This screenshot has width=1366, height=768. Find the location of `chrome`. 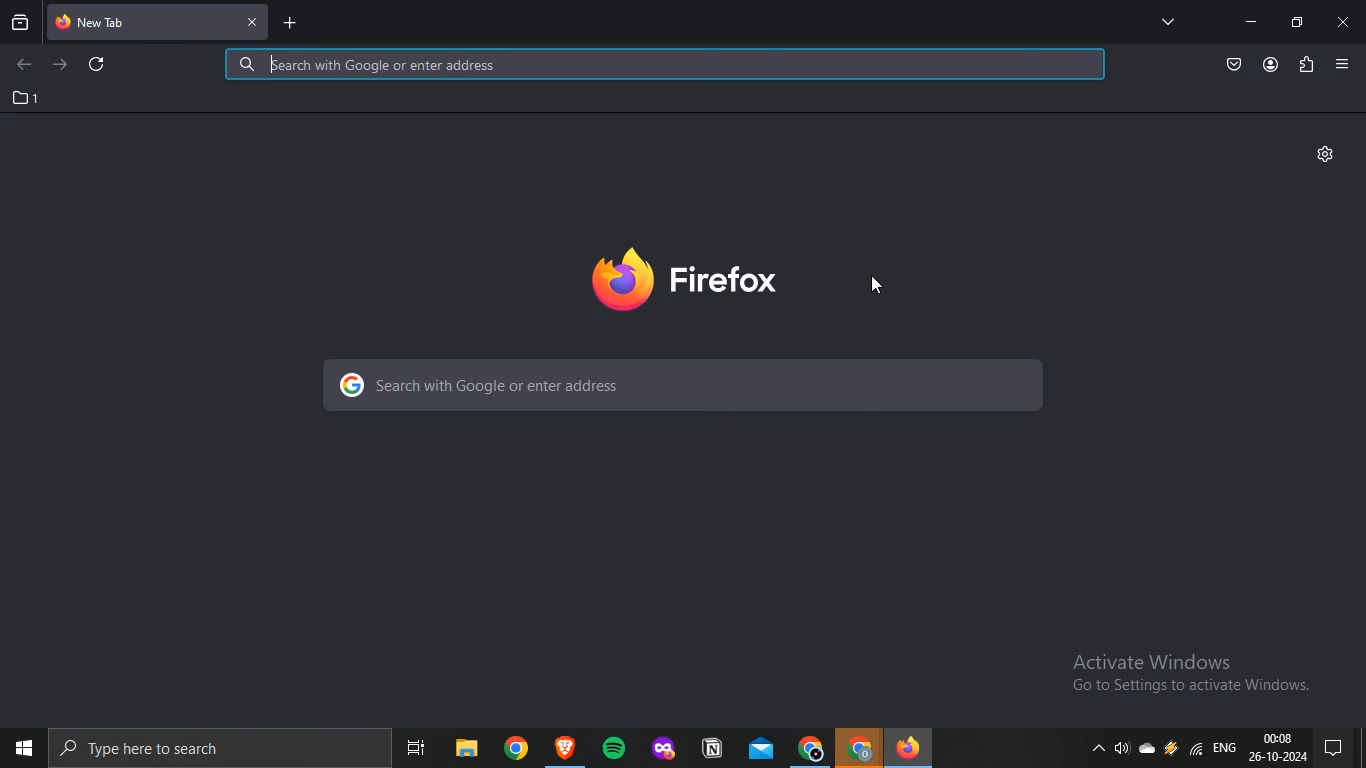

chrome is located at coordinates (860, 748).